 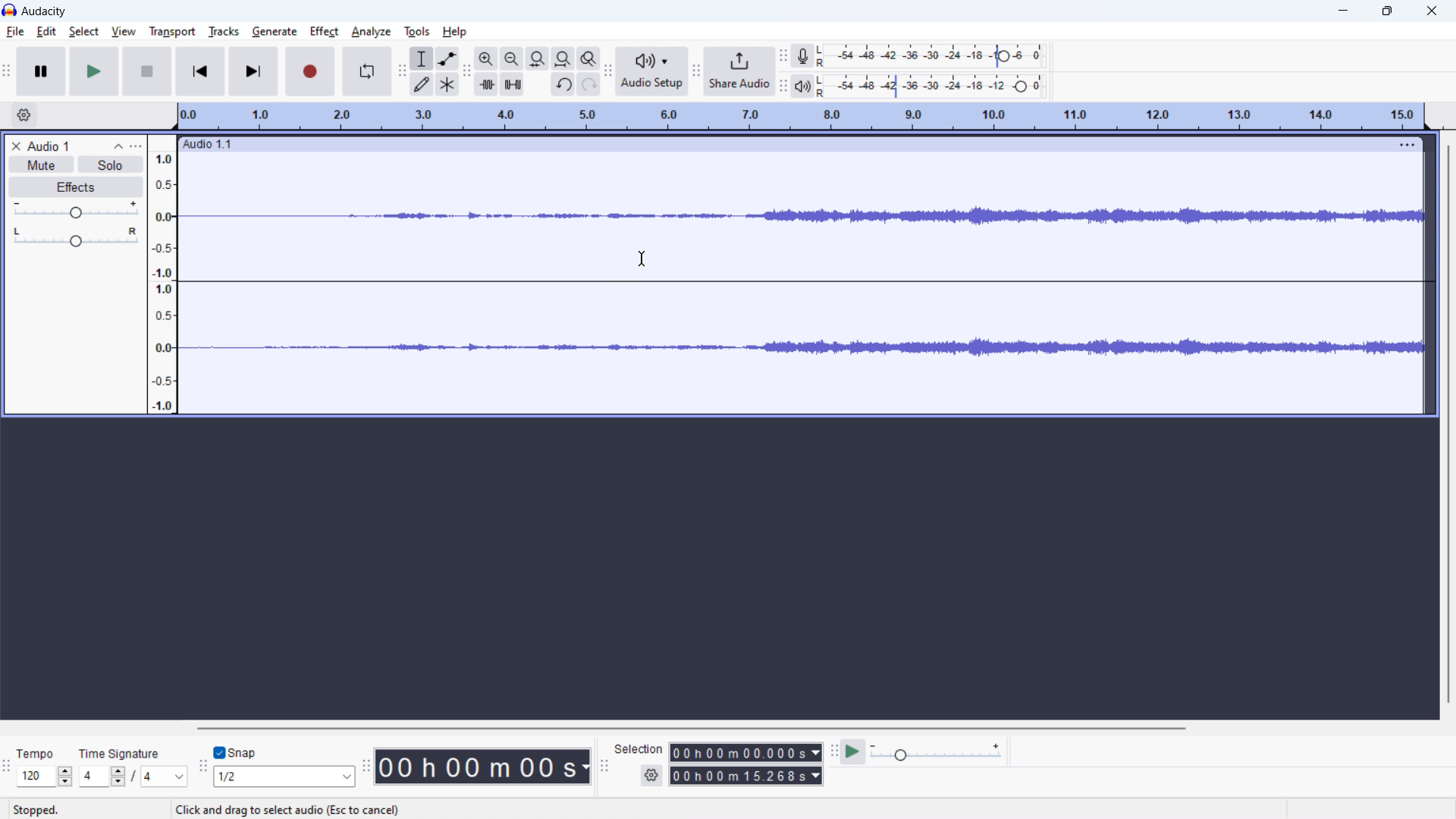 What do you see at coordinates (1387, 11) in the screenshot?
I see `maximize` at bounding box center [1387, 11].